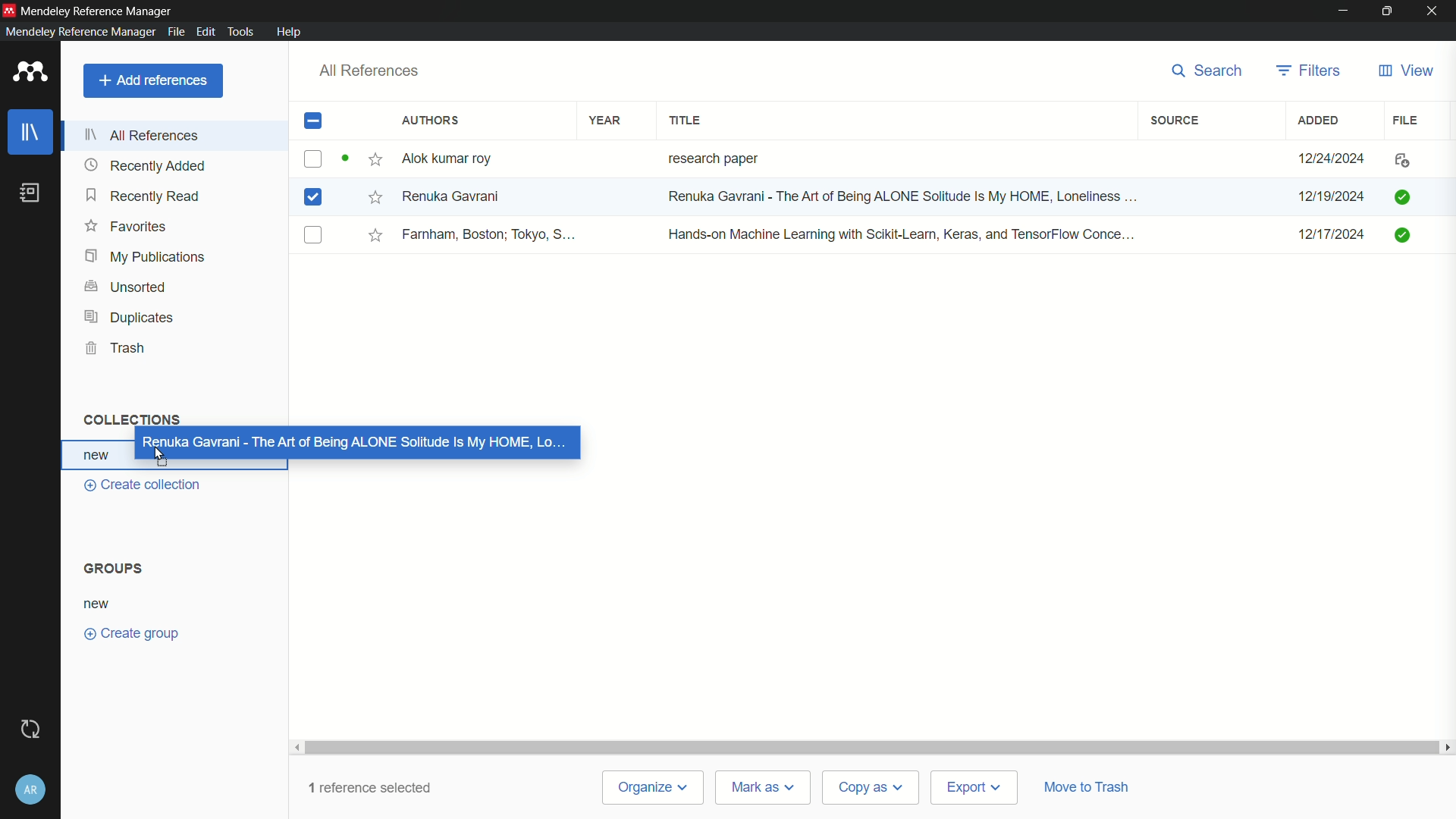 The image size is (1456, 819). I want to click on recently read, so click(145, 196).